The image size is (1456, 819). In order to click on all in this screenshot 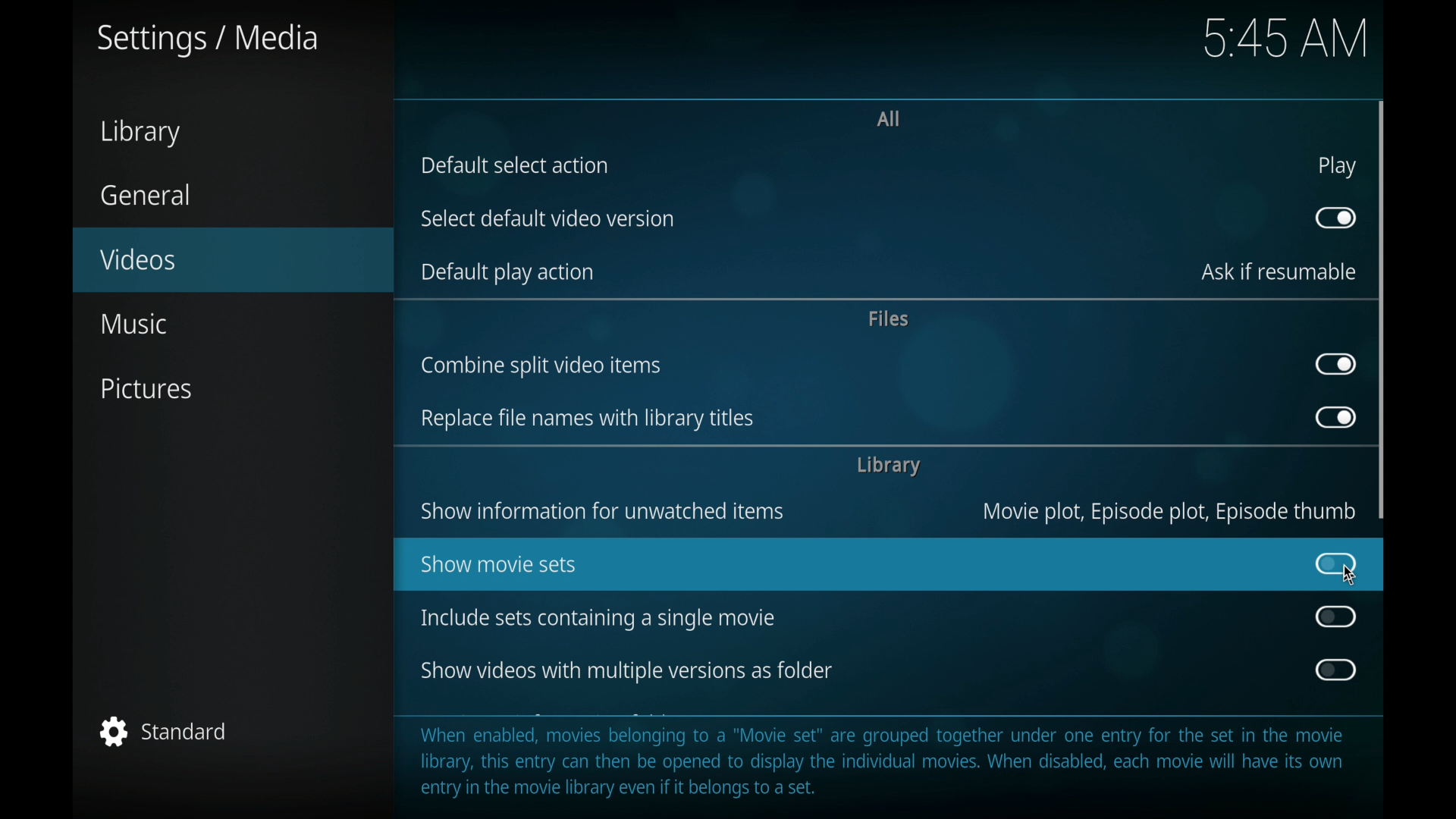, I will do `click(889, 119)`.